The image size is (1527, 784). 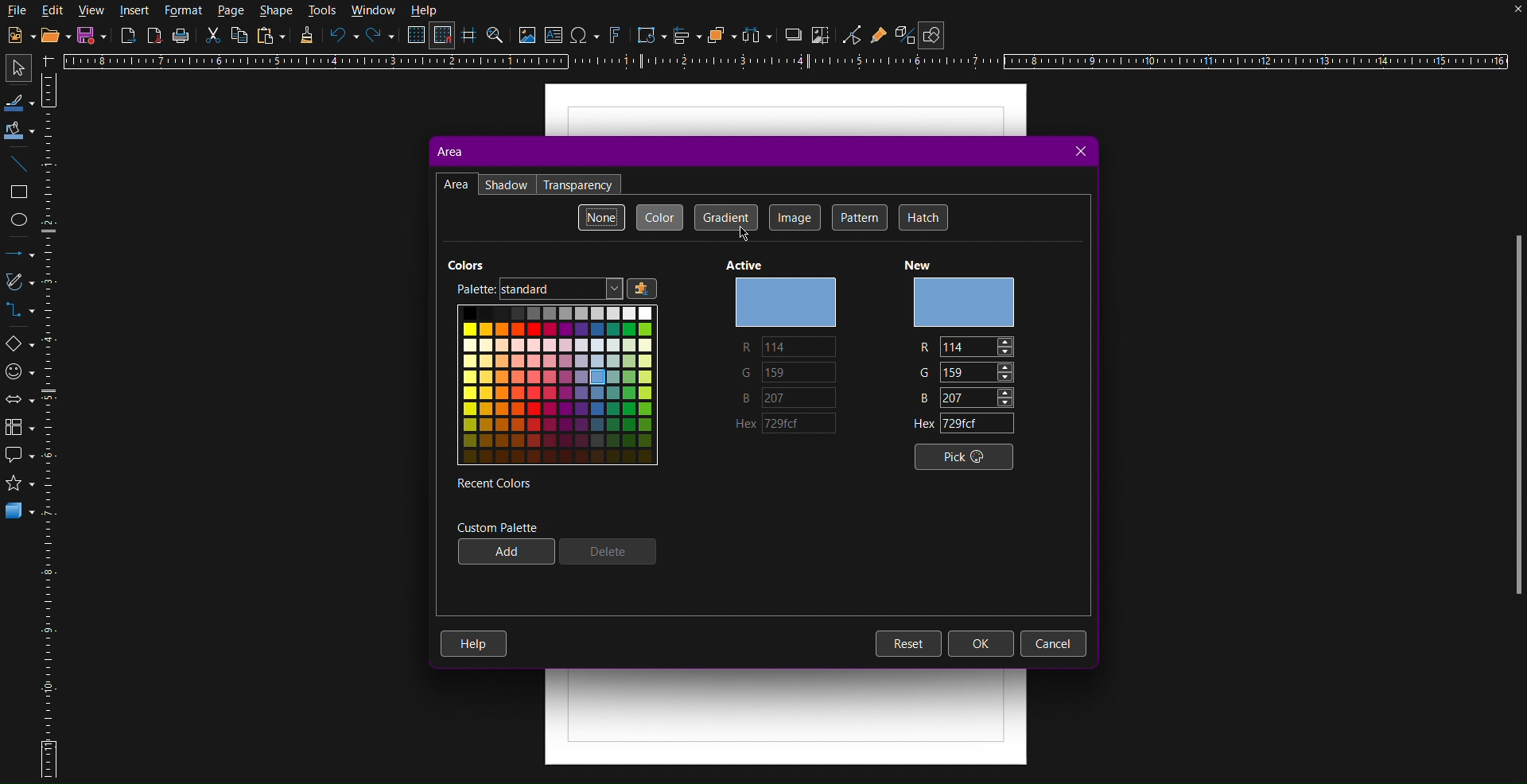 I want to click on Callout Shapes, so click(x=18, y=459).